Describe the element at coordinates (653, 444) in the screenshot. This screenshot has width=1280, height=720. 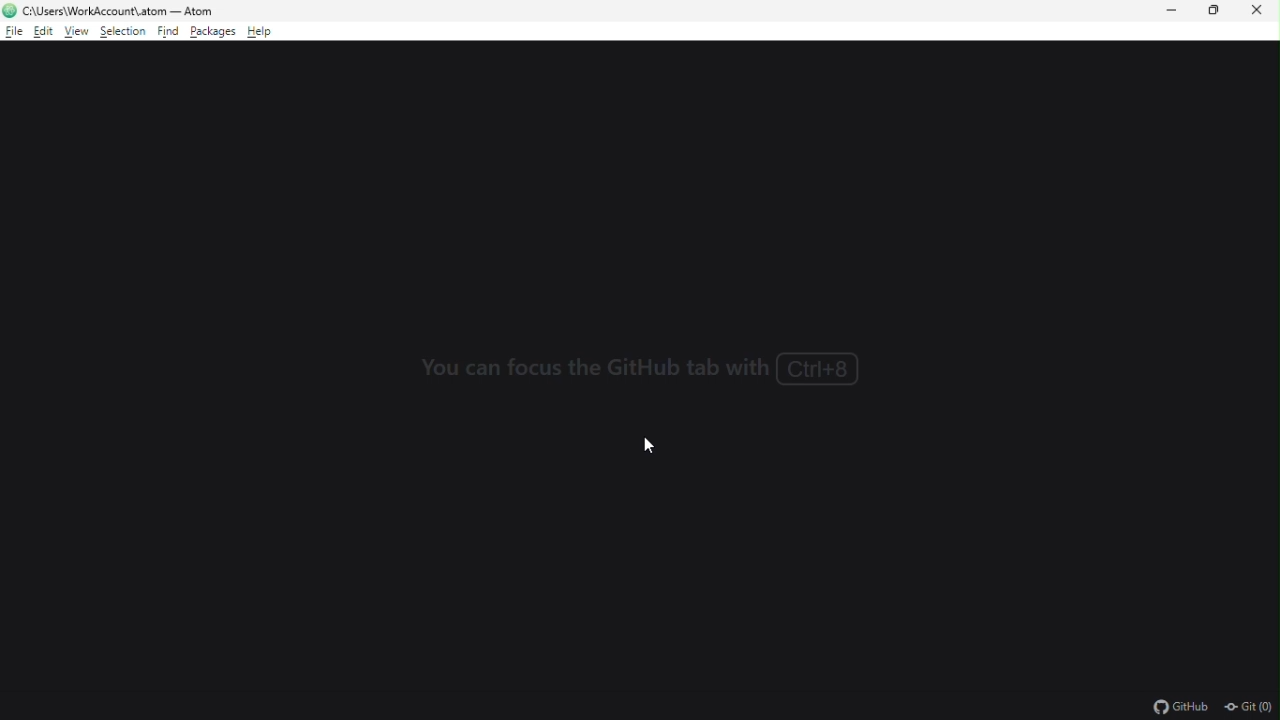
I see `cursor` at that location.